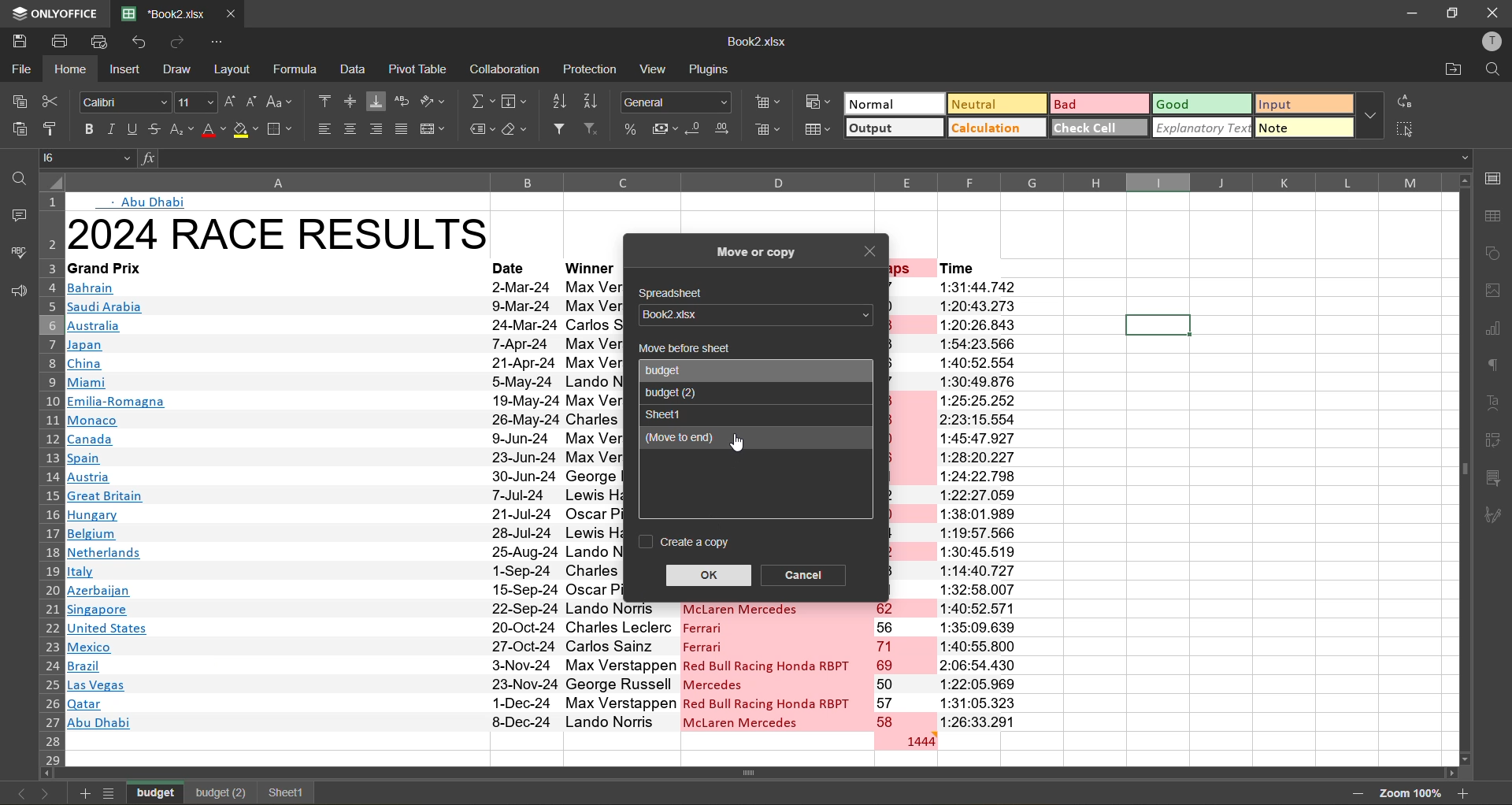 This screenshot has height=805, width=1512. Describe the element at coordinates (980, 504) in the screenshot. I see `time` at that location.